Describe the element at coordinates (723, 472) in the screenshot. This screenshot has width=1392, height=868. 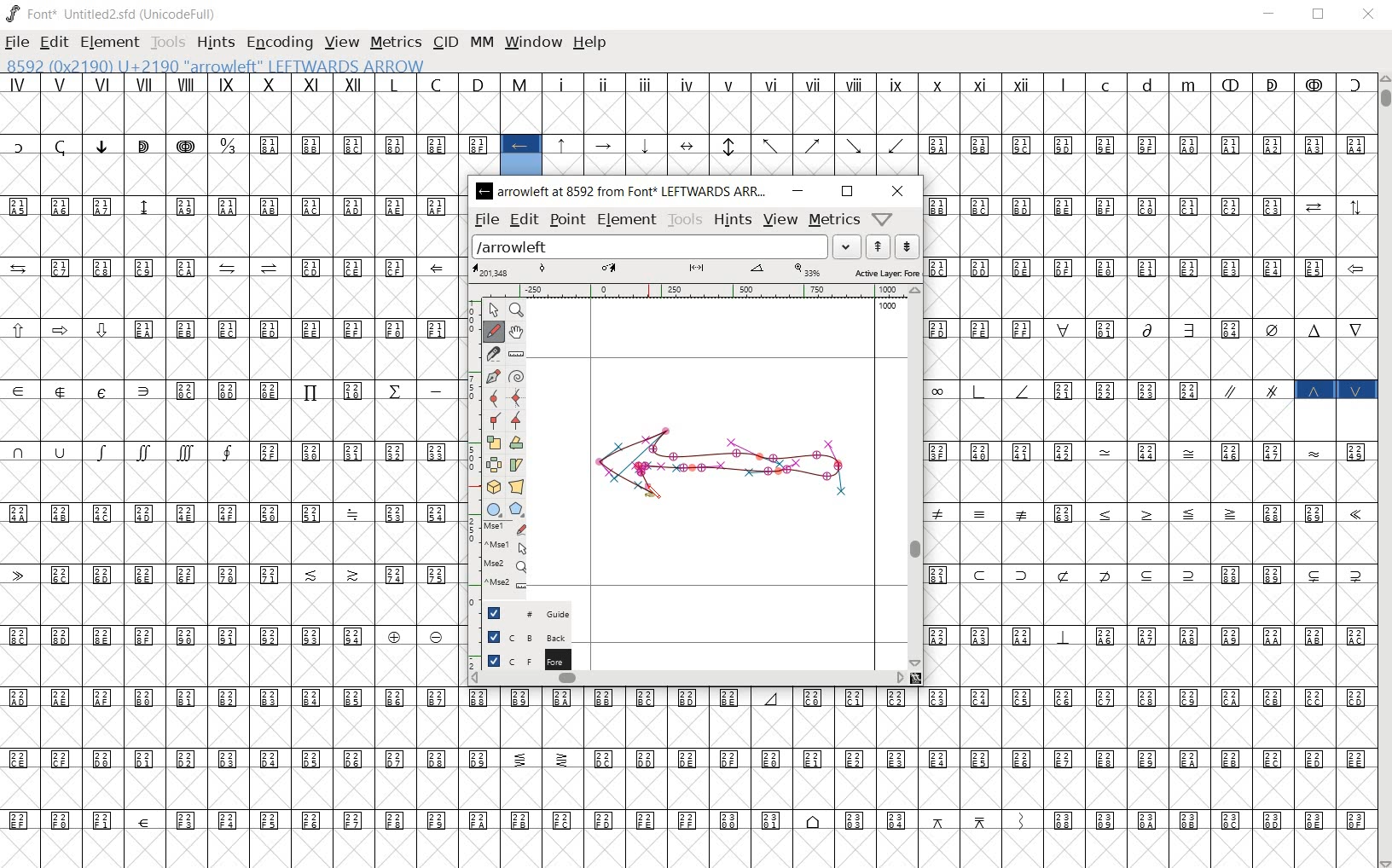
I see `back arrow glyph design` at that location.